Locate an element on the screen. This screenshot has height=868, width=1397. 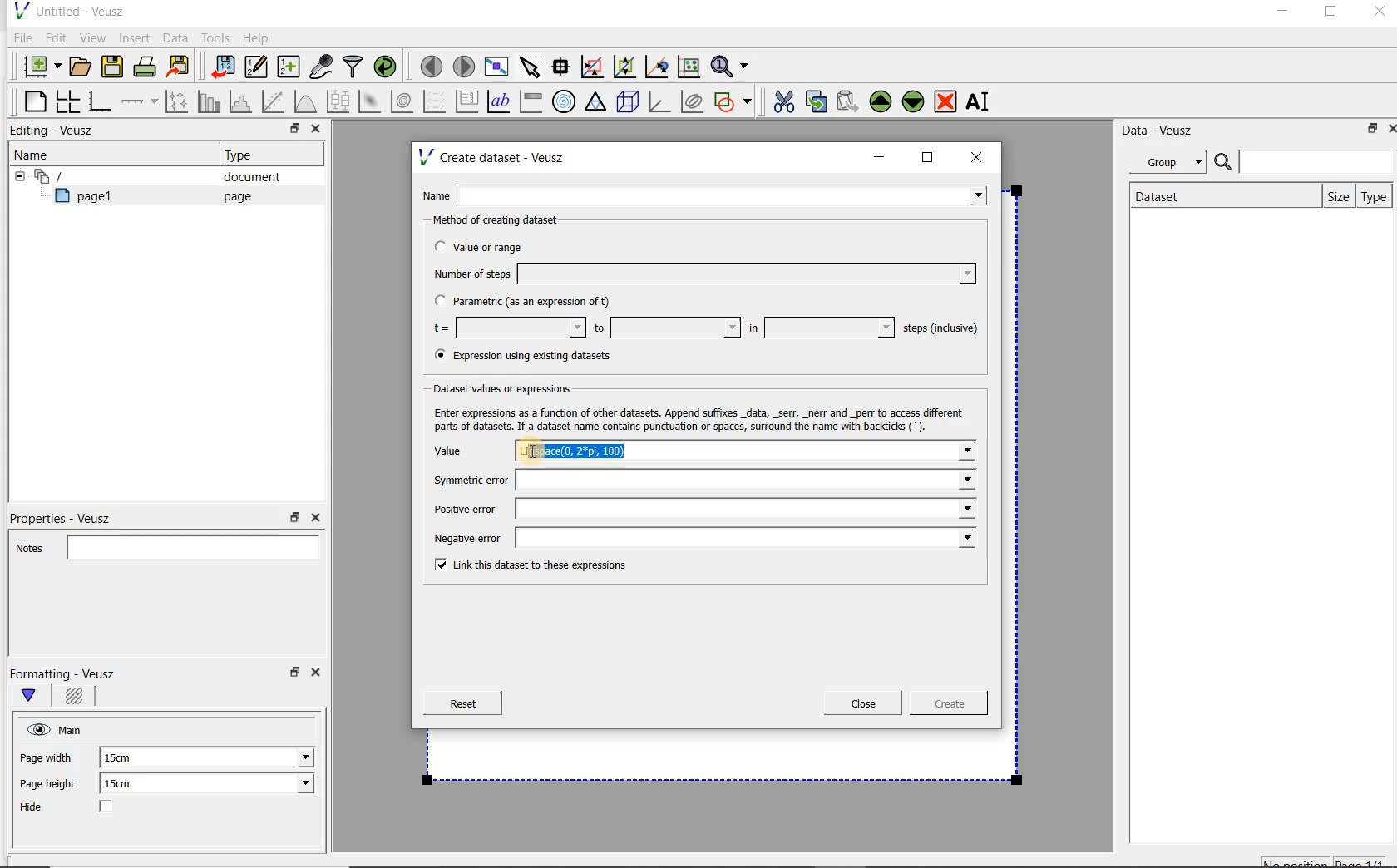
move to the next page is located at coordinates (464, 67).